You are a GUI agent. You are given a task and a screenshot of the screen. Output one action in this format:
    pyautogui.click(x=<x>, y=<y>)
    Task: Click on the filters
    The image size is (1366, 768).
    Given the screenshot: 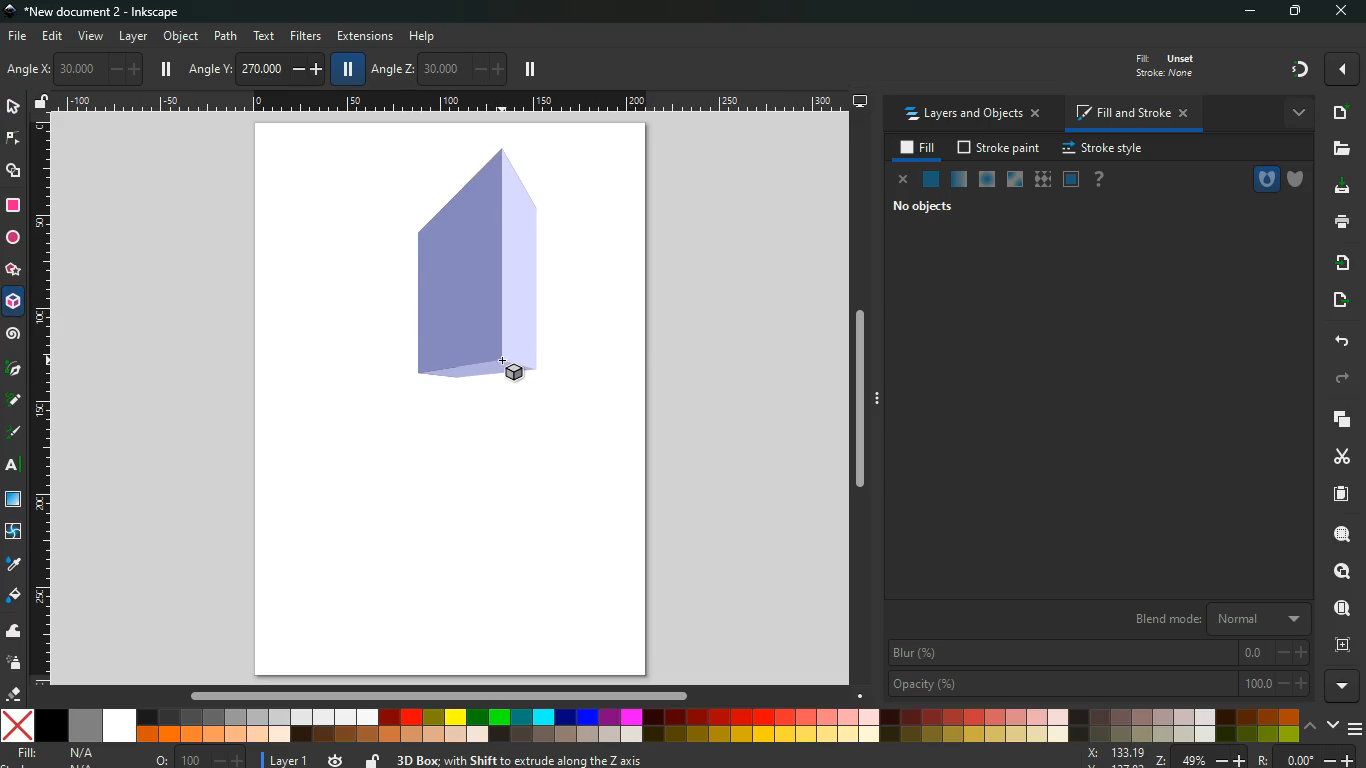 What is the action you would take?
    pyautogui.click(x=306, y=35)
    